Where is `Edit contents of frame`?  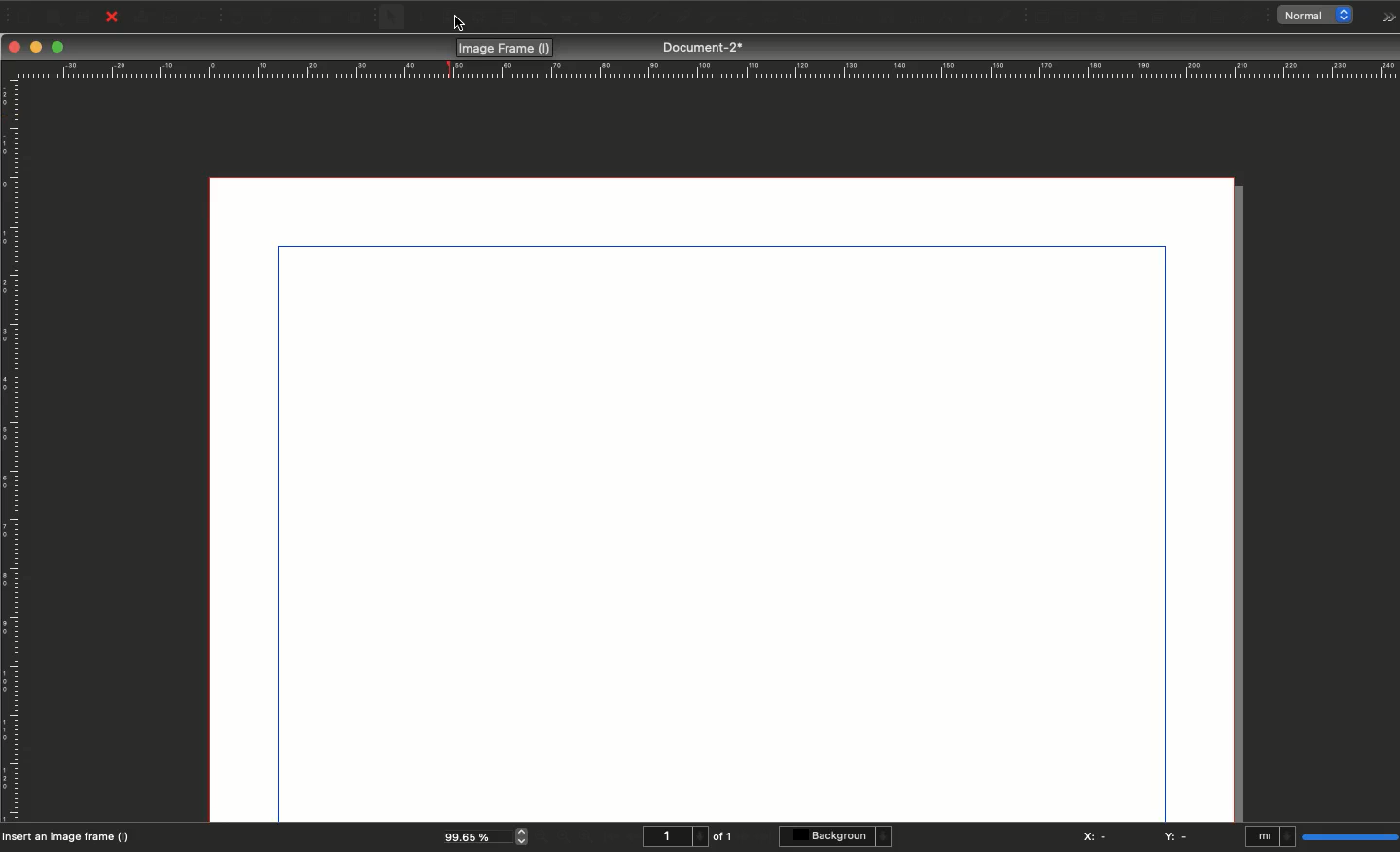
Edit contents of frame is located at coordinates (810, 18).